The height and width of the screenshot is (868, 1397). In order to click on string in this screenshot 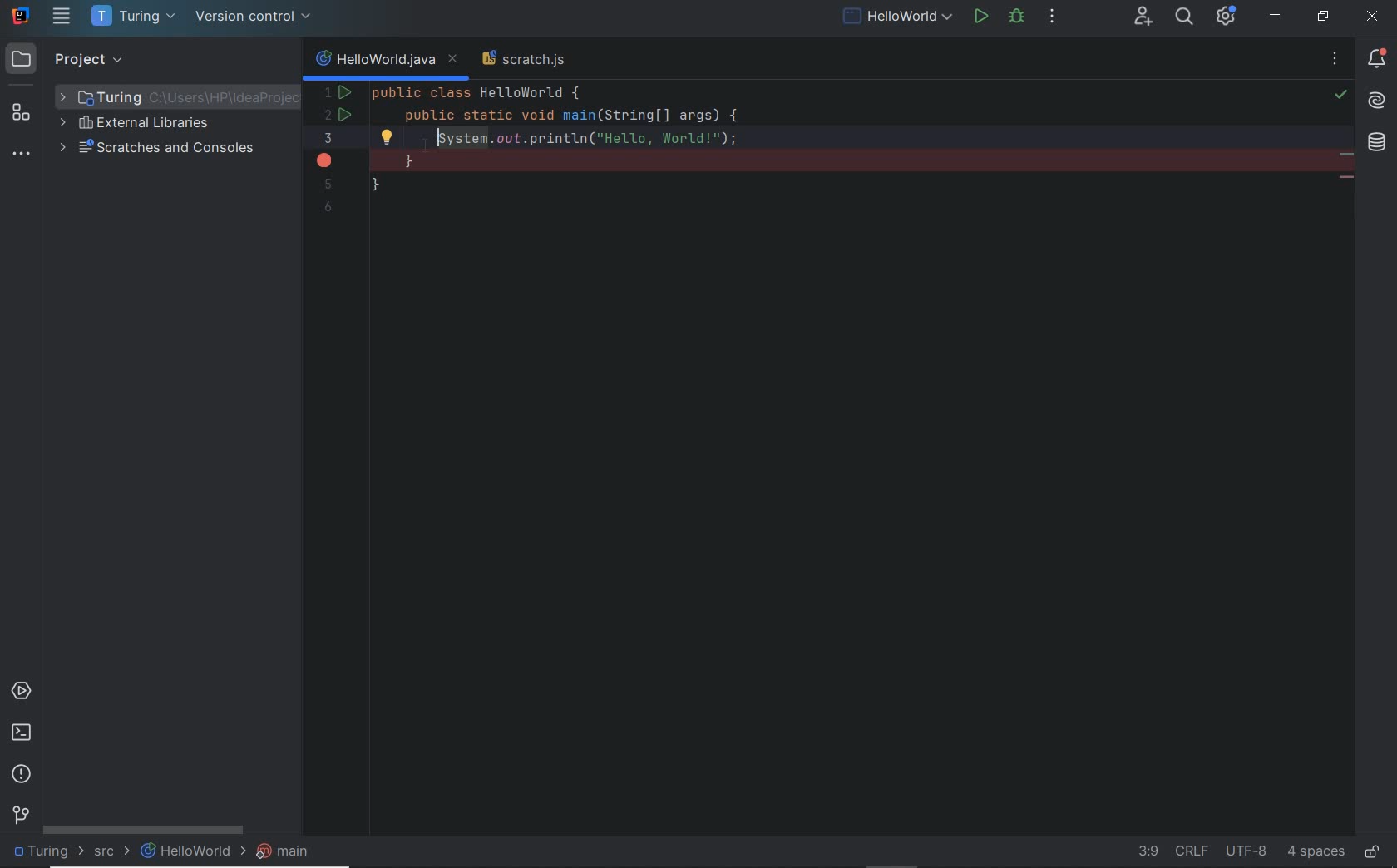, I will do `click(1348, 180)`.